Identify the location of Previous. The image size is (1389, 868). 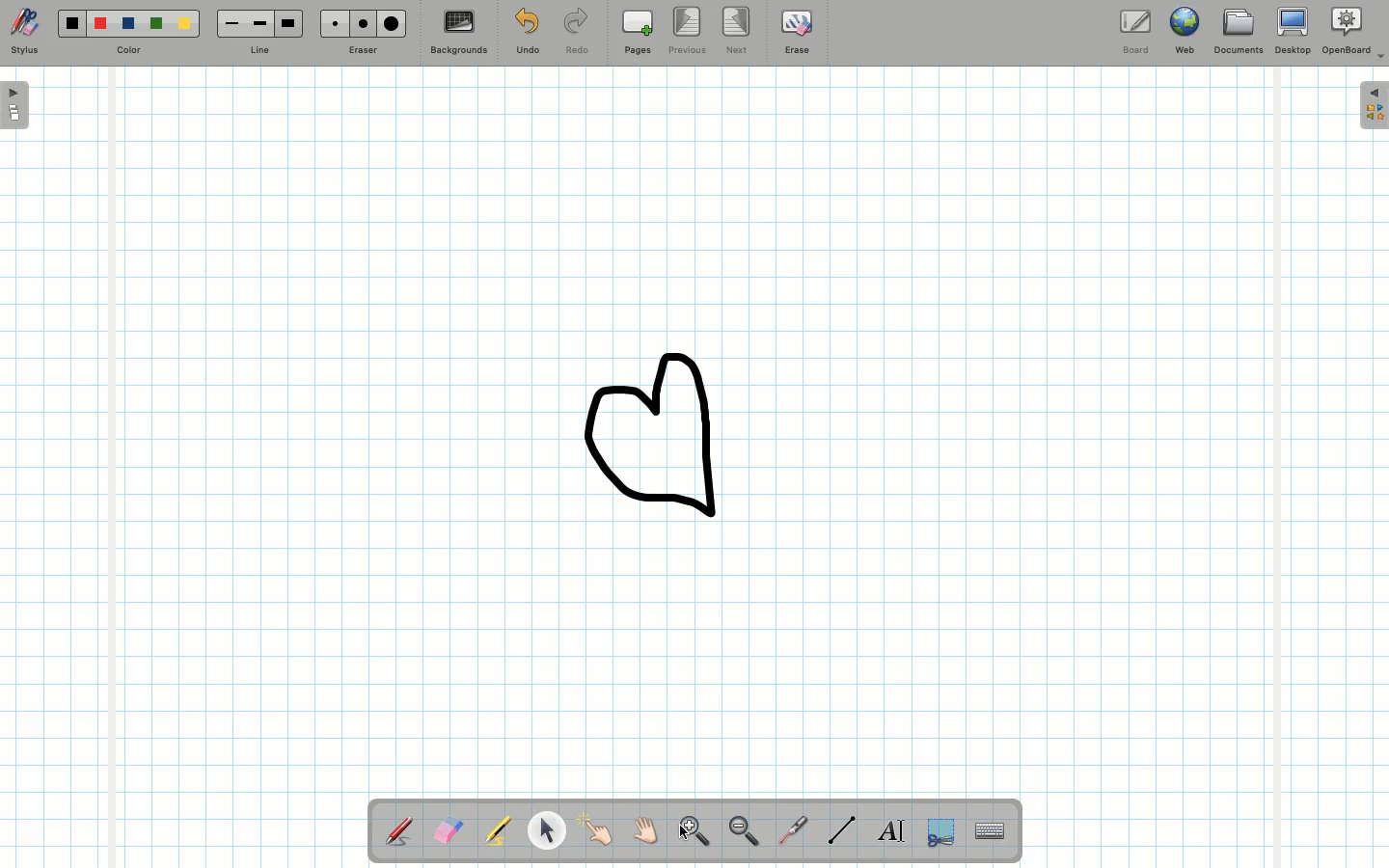
(685, 31).